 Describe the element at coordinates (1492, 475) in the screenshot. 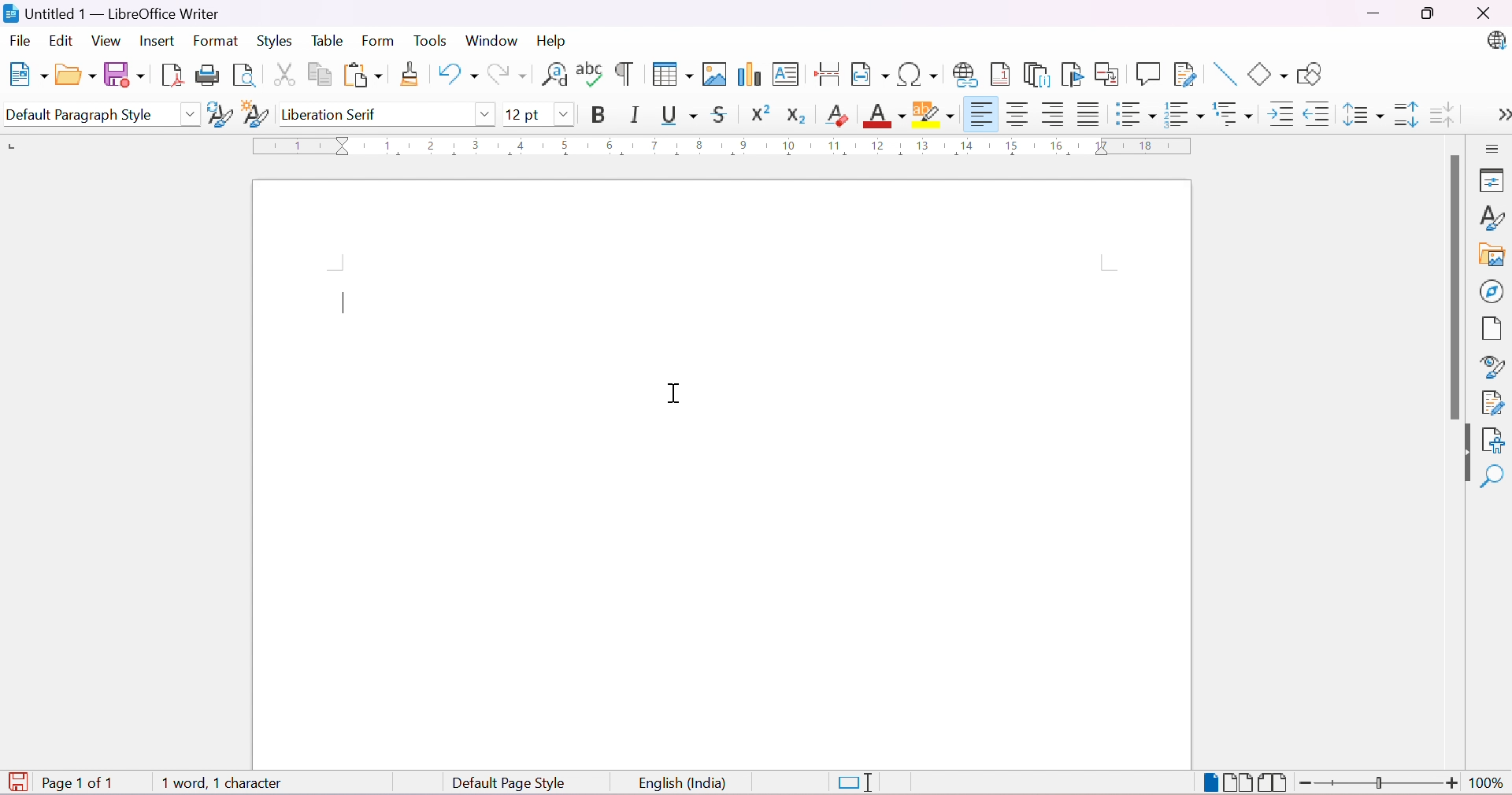

I see `Find` at that location.